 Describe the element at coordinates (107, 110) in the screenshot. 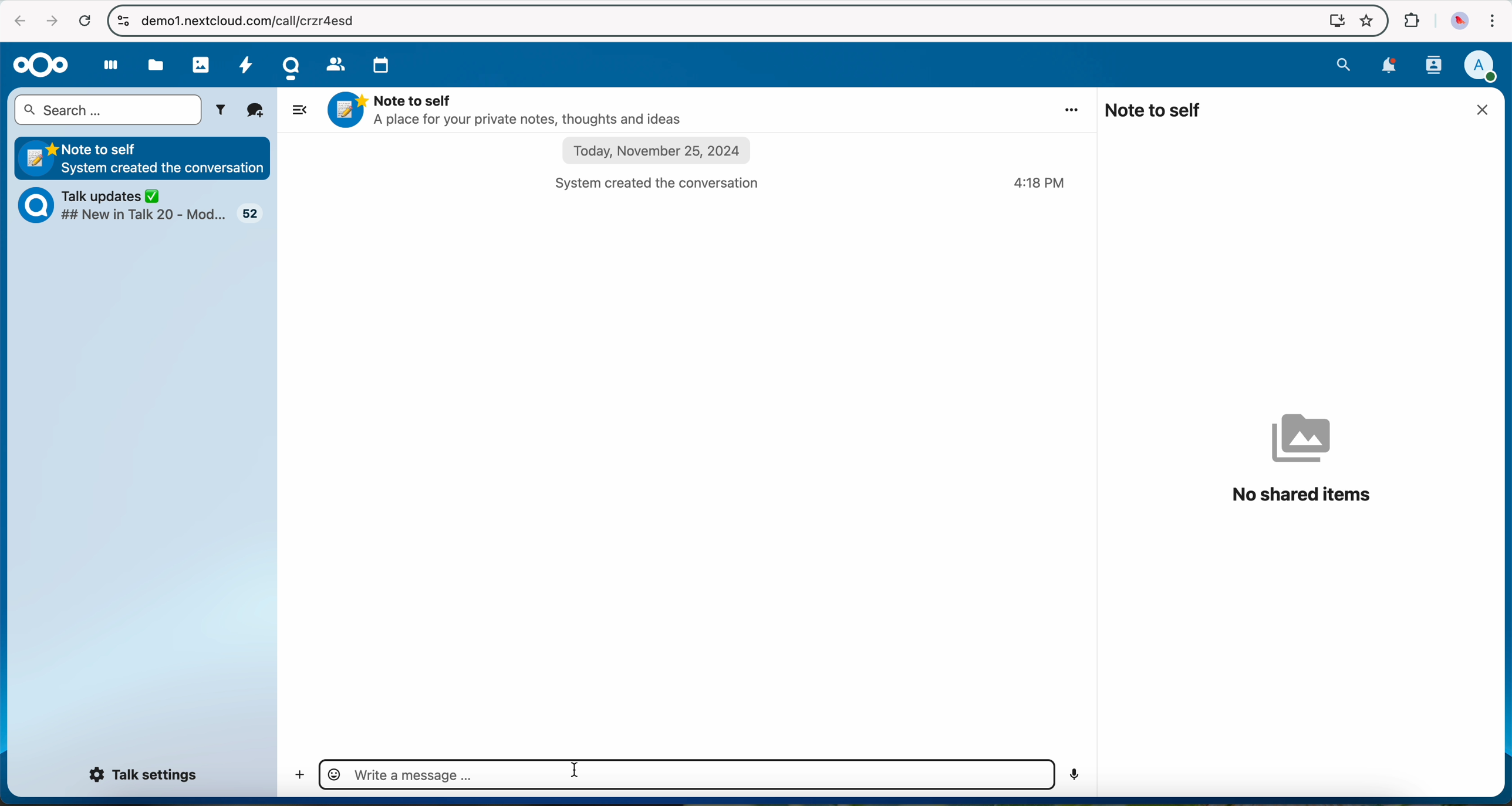

I see `search bar` at that location.